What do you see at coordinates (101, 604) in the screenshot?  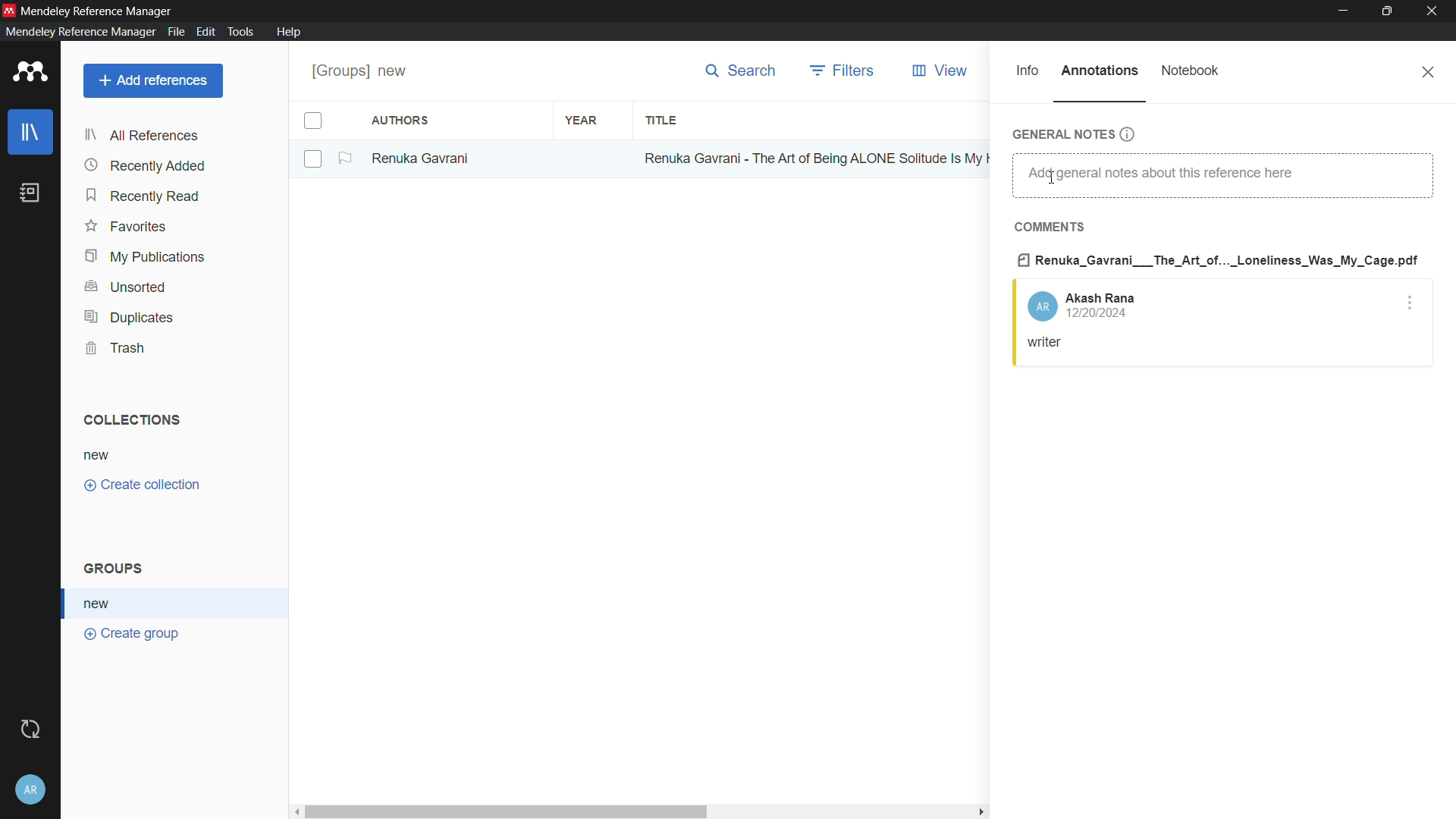 I see `new` at bounding box center [101, 604].